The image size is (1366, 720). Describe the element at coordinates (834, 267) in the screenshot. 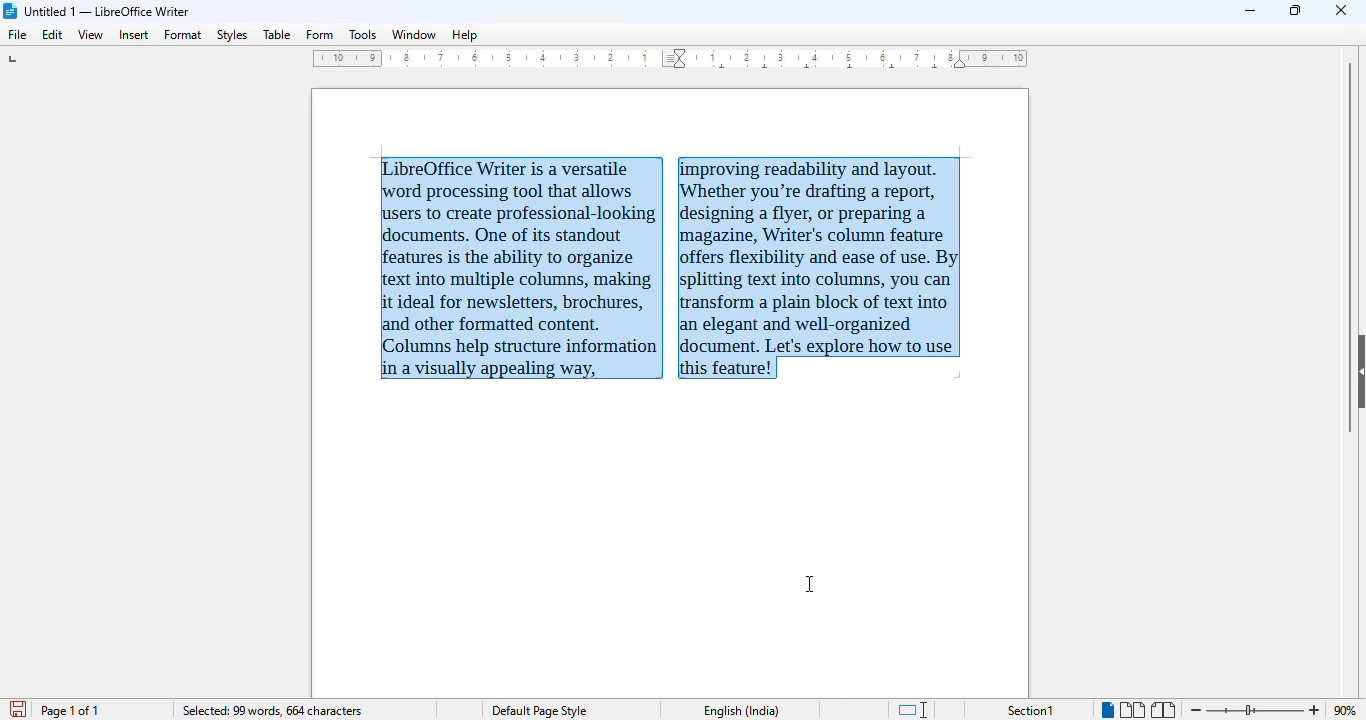

I see `proving readability and layout. Whether you're drafting a report, designing a flyer, or preparing magazine, Writer's column features offers flexibility and ease of use. splitting text into columns, you can tansform a plain block of text into elegant and well-organized document. Let's explore how to use this feature!` at that location.